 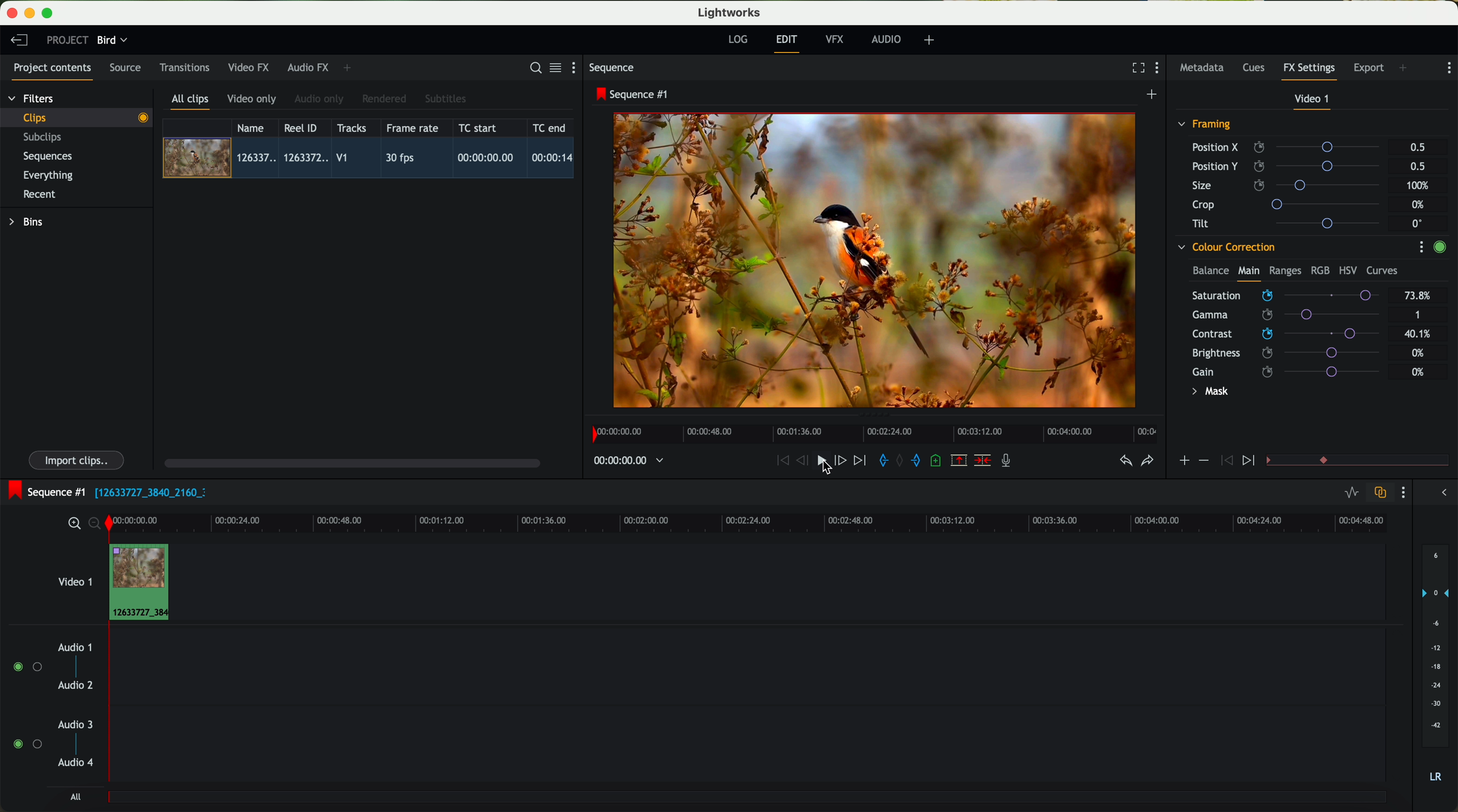 What do you see at coordinates (1160, 69) in the screenshot?
I see `show settings menu` at bounding box center [1160, 69].